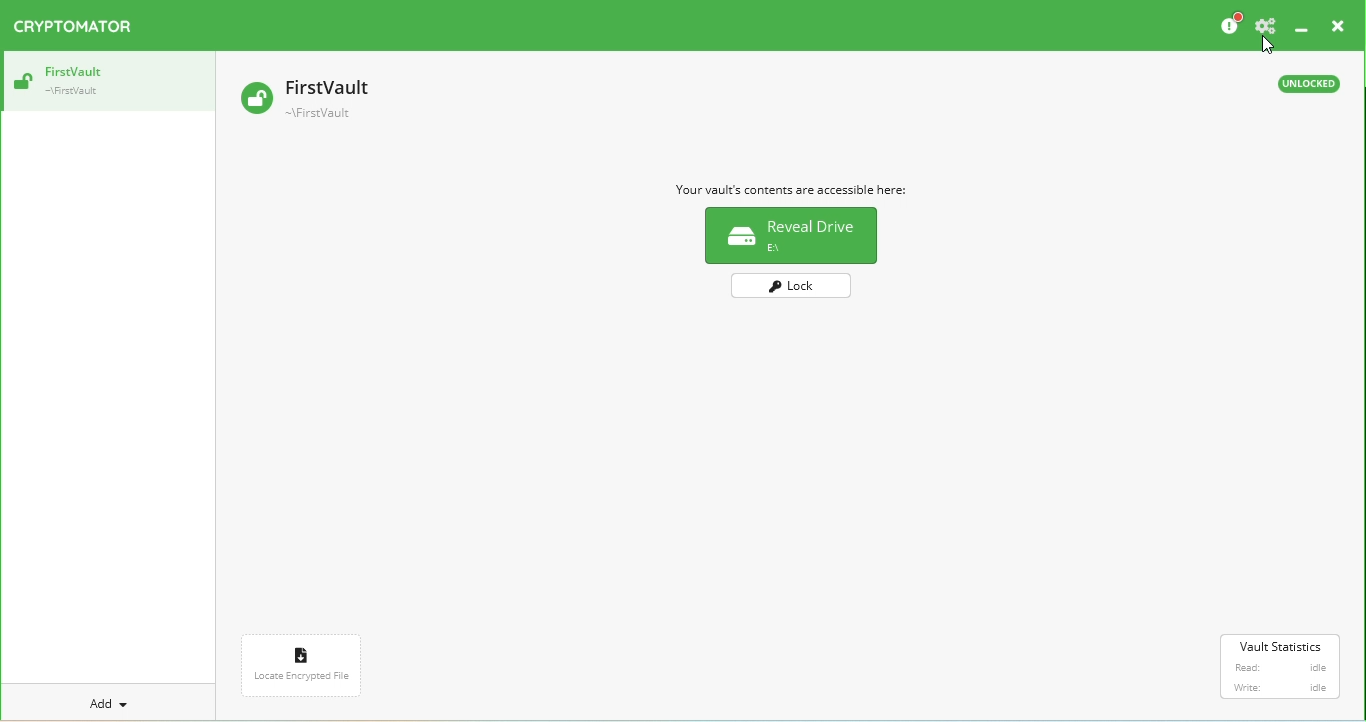 Image resolution: width=1366 pixels, height=722 pixels. What do you see at coordinates (1306, 87) in the screenshot?
I see `Unlocked` at bounding box center [1306, 87].